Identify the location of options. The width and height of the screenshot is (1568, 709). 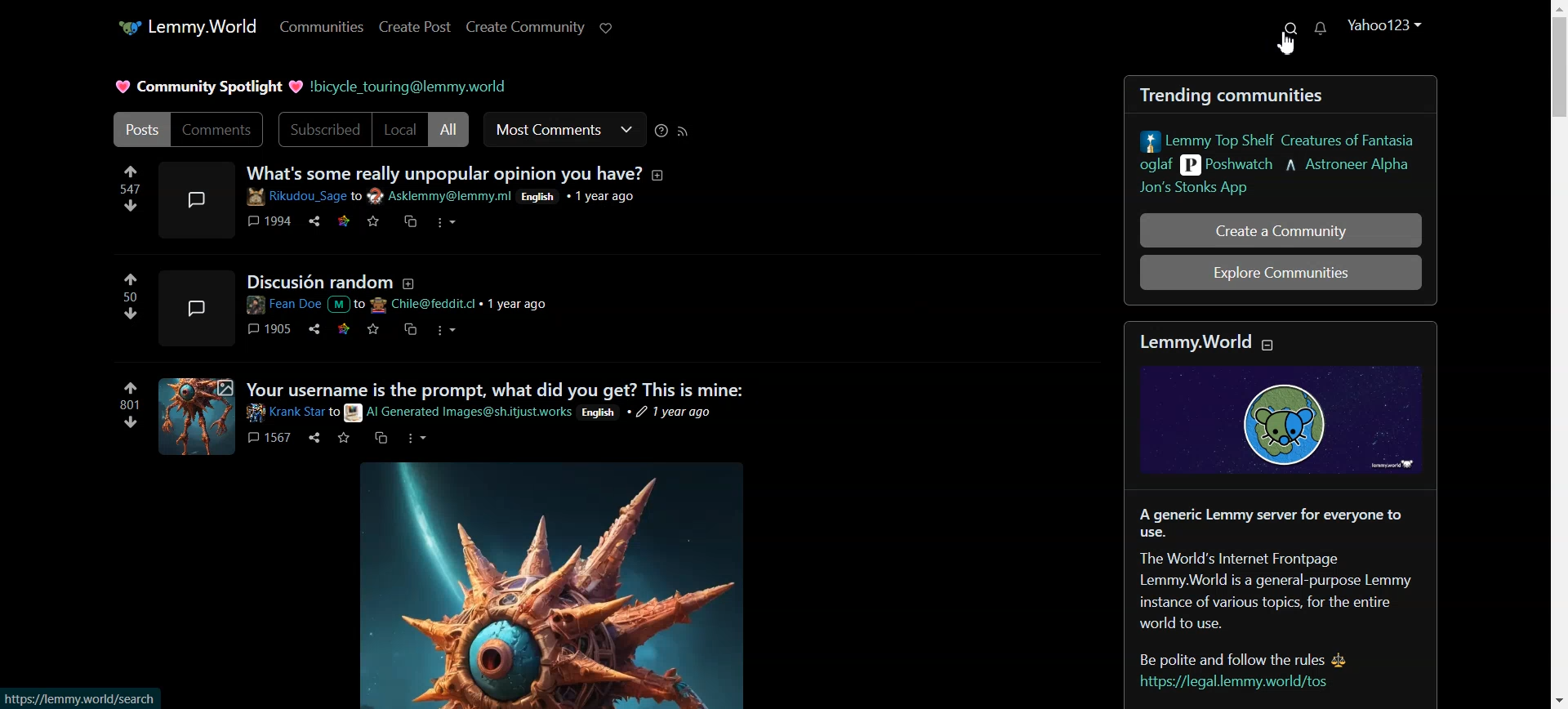
(447, 222).